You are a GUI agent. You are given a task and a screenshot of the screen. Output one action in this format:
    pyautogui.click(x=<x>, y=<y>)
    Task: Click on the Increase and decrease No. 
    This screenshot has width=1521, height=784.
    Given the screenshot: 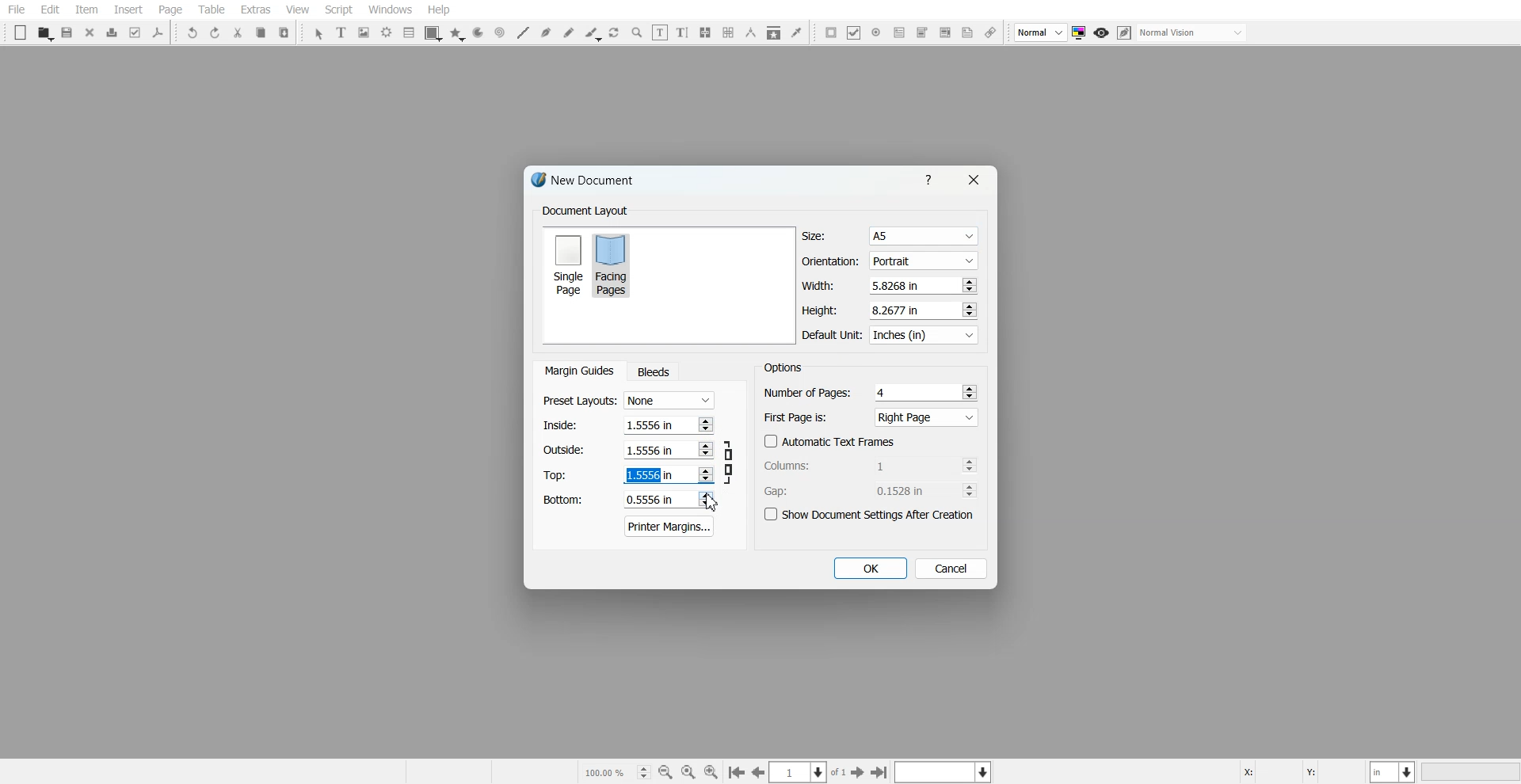 What is the action you would take?
    pyautogui.click(x=967, y=310)
    